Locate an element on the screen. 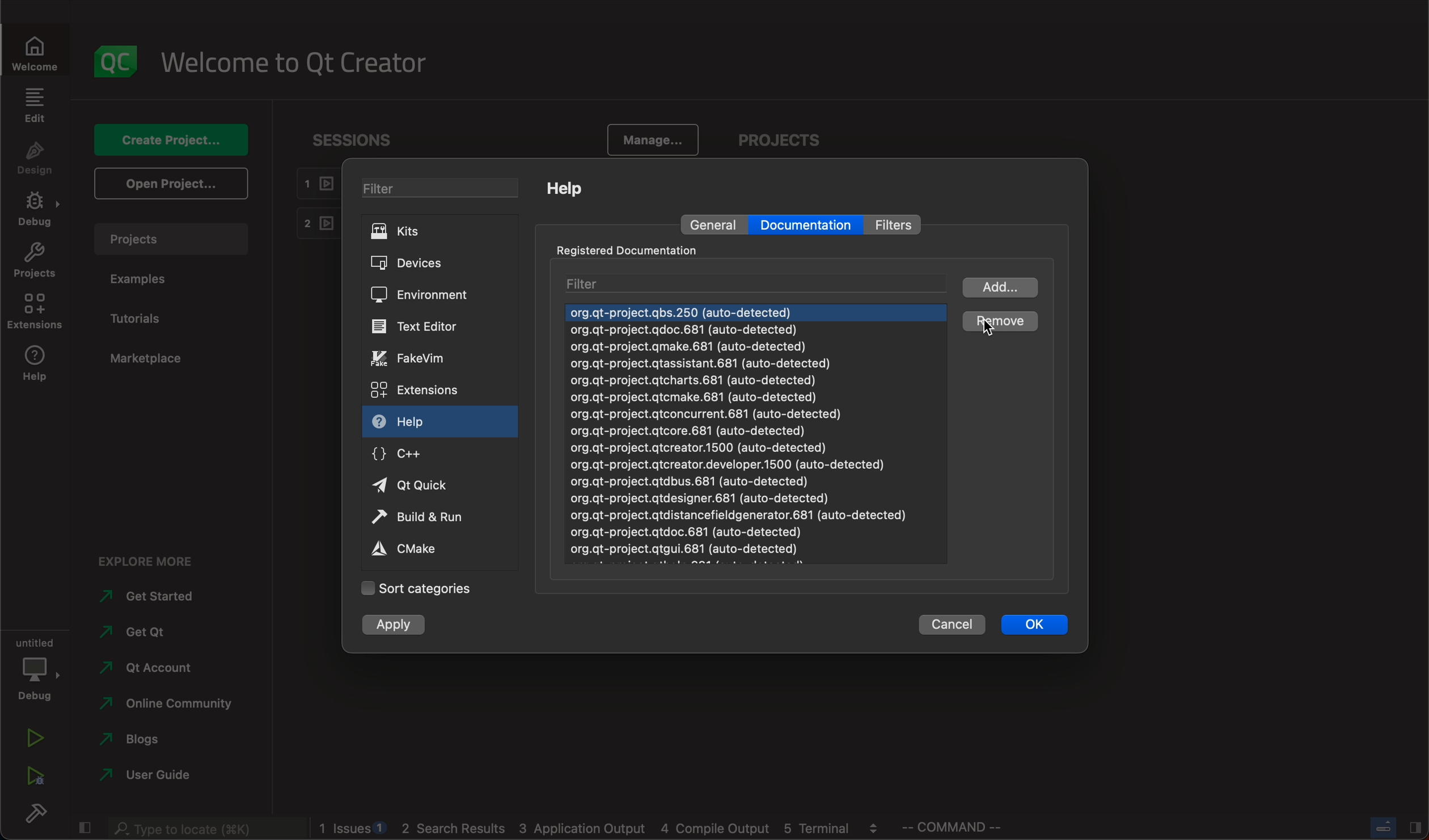 The height and width of the screenshot is (840, 1429). selected document is located at coordinates (755, 313).